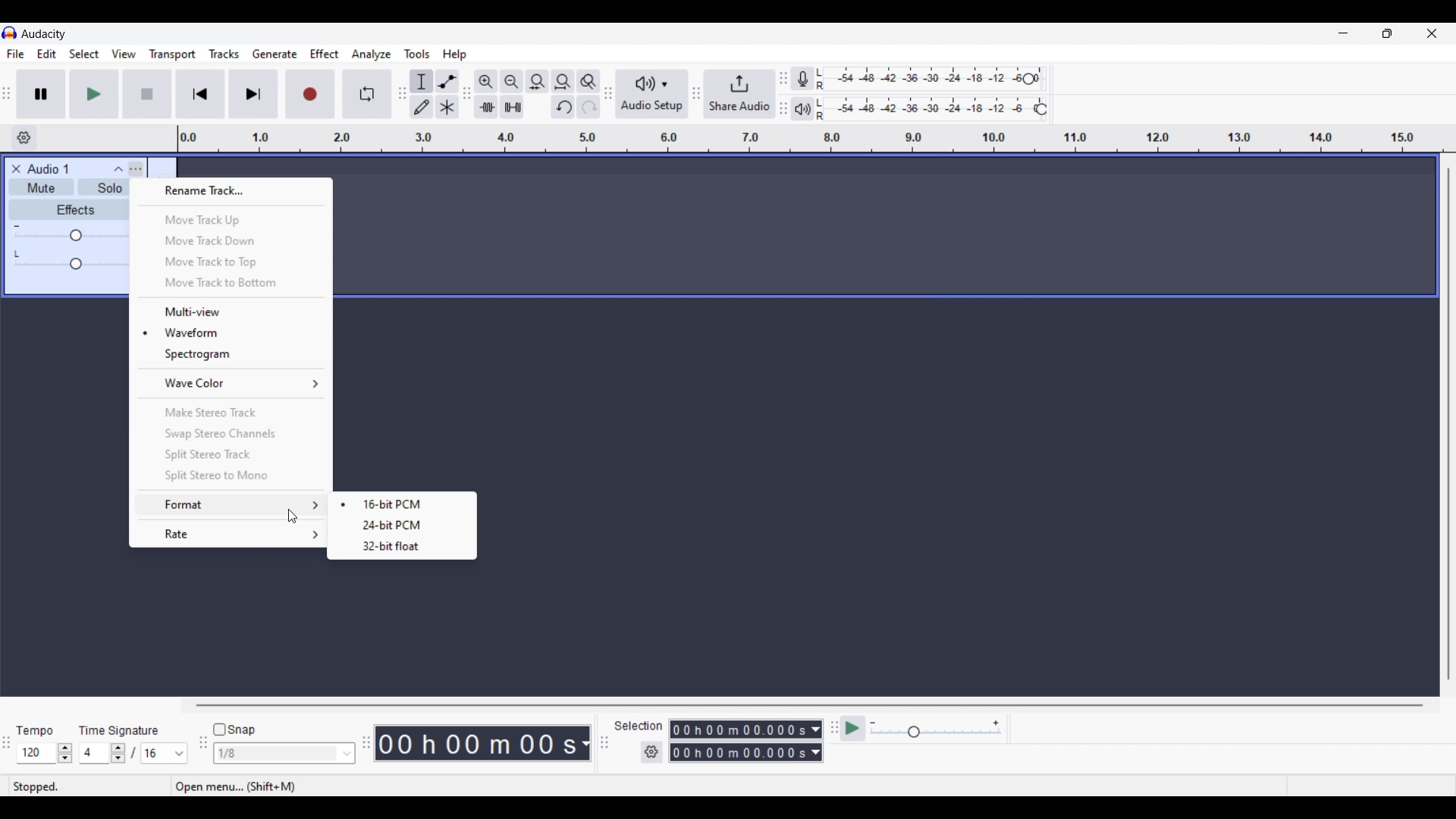  I want to click on Slider, so click(70, 237).